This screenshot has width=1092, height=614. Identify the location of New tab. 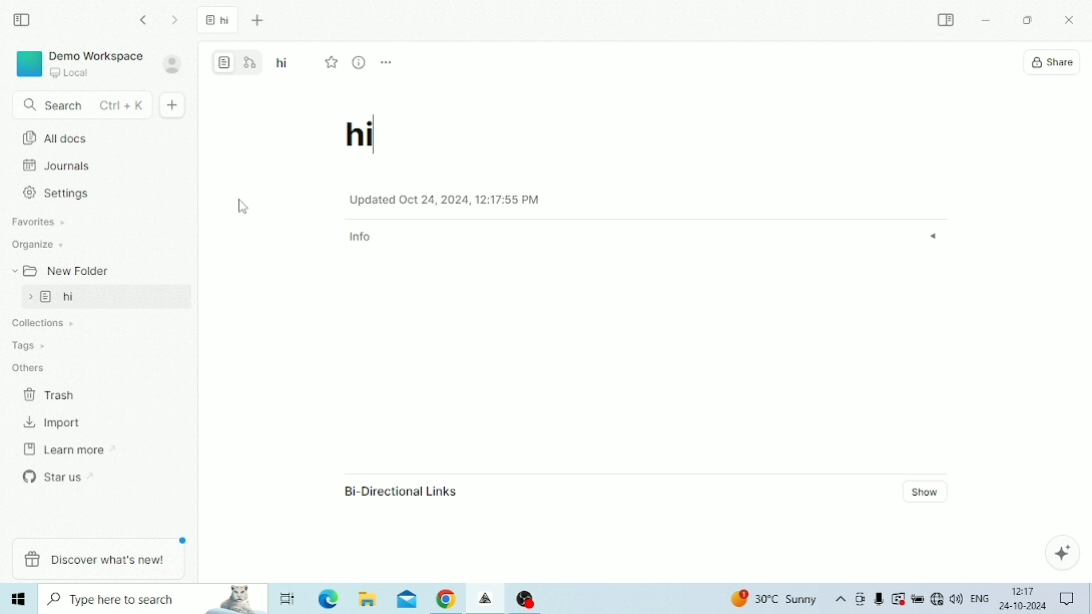
(260, 22).